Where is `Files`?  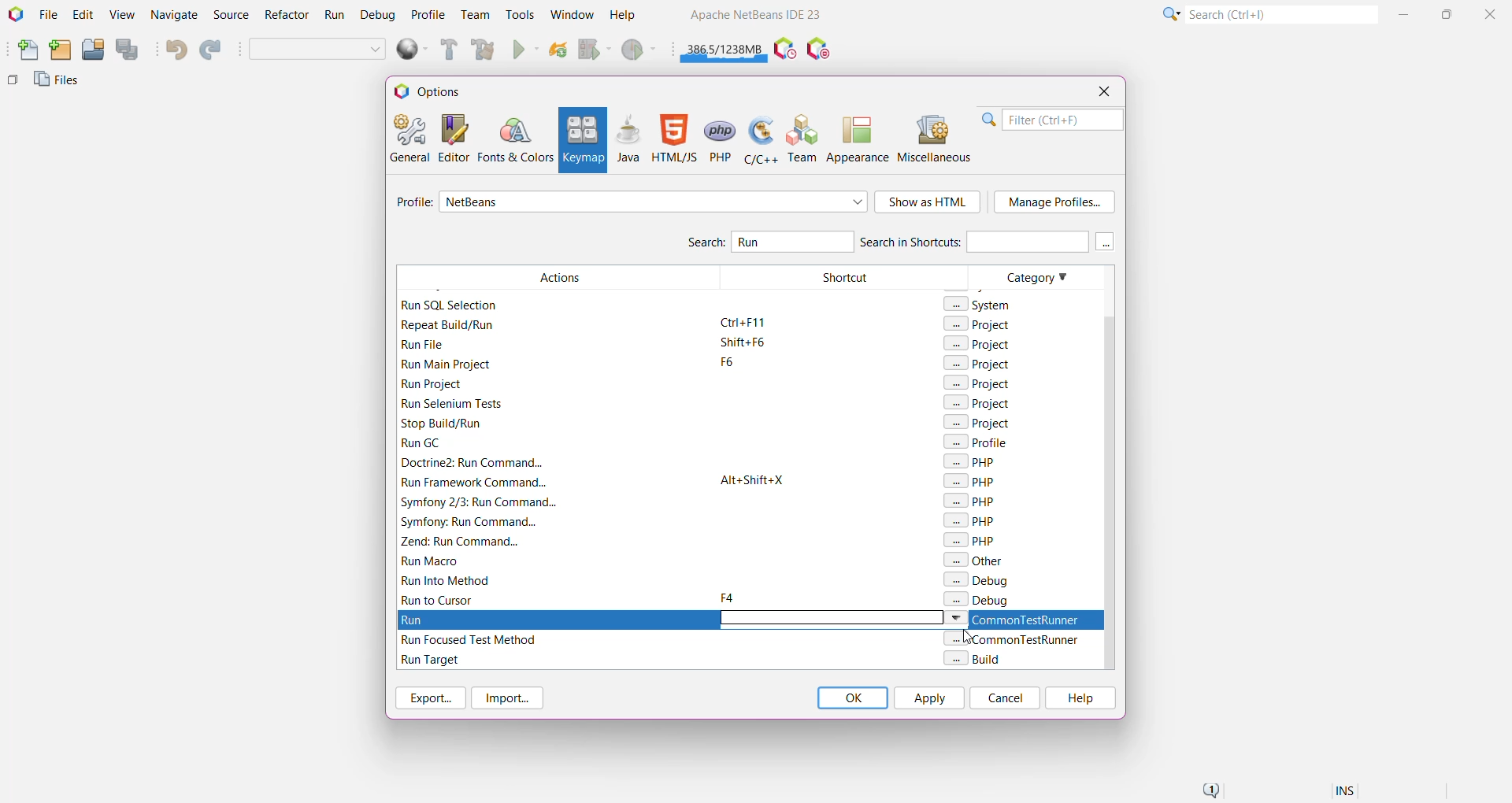
Files is located at coordinates (59, 83).